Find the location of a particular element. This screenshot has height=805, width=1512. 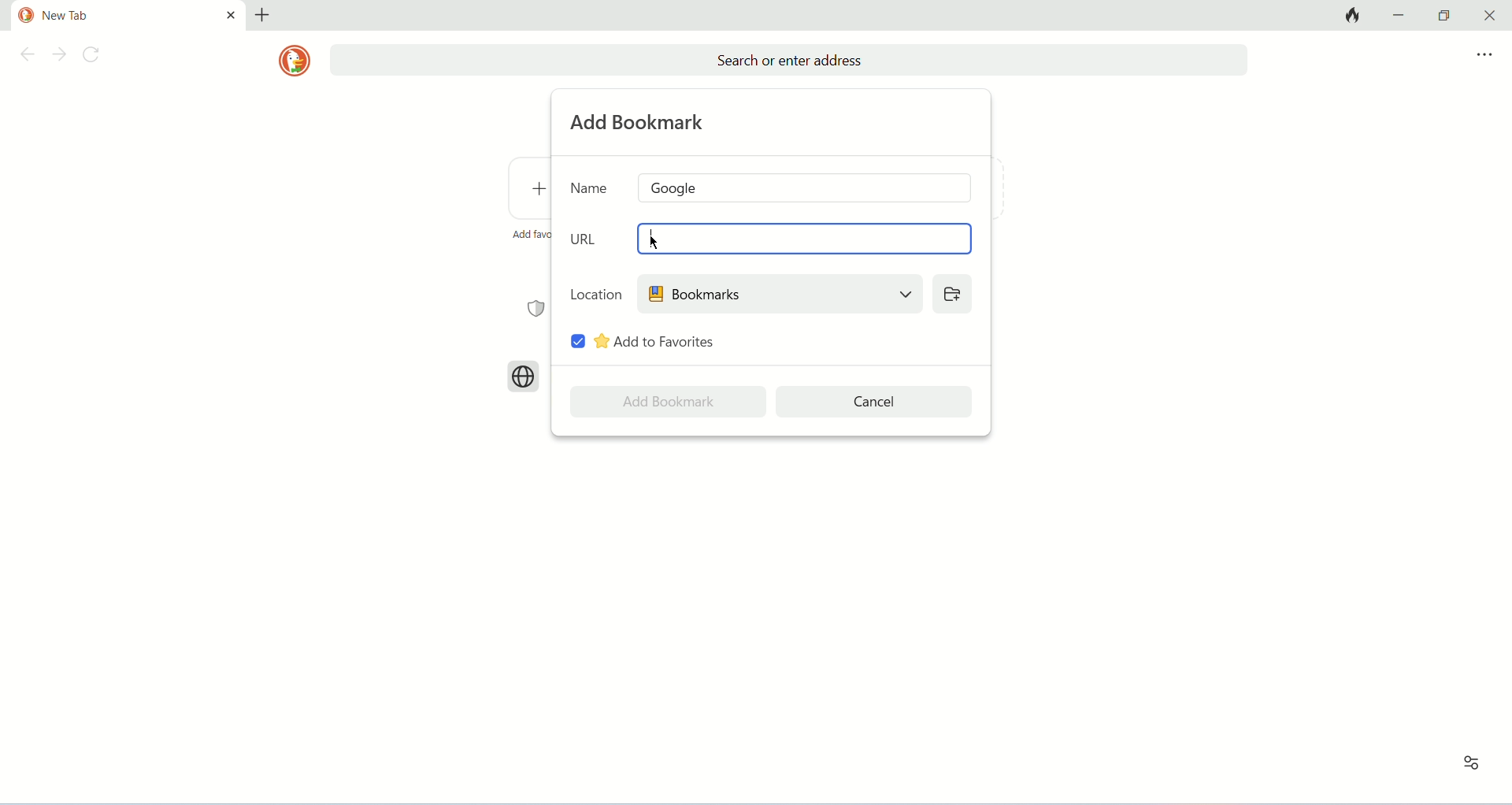

URL is located at coordinates (587, 239).